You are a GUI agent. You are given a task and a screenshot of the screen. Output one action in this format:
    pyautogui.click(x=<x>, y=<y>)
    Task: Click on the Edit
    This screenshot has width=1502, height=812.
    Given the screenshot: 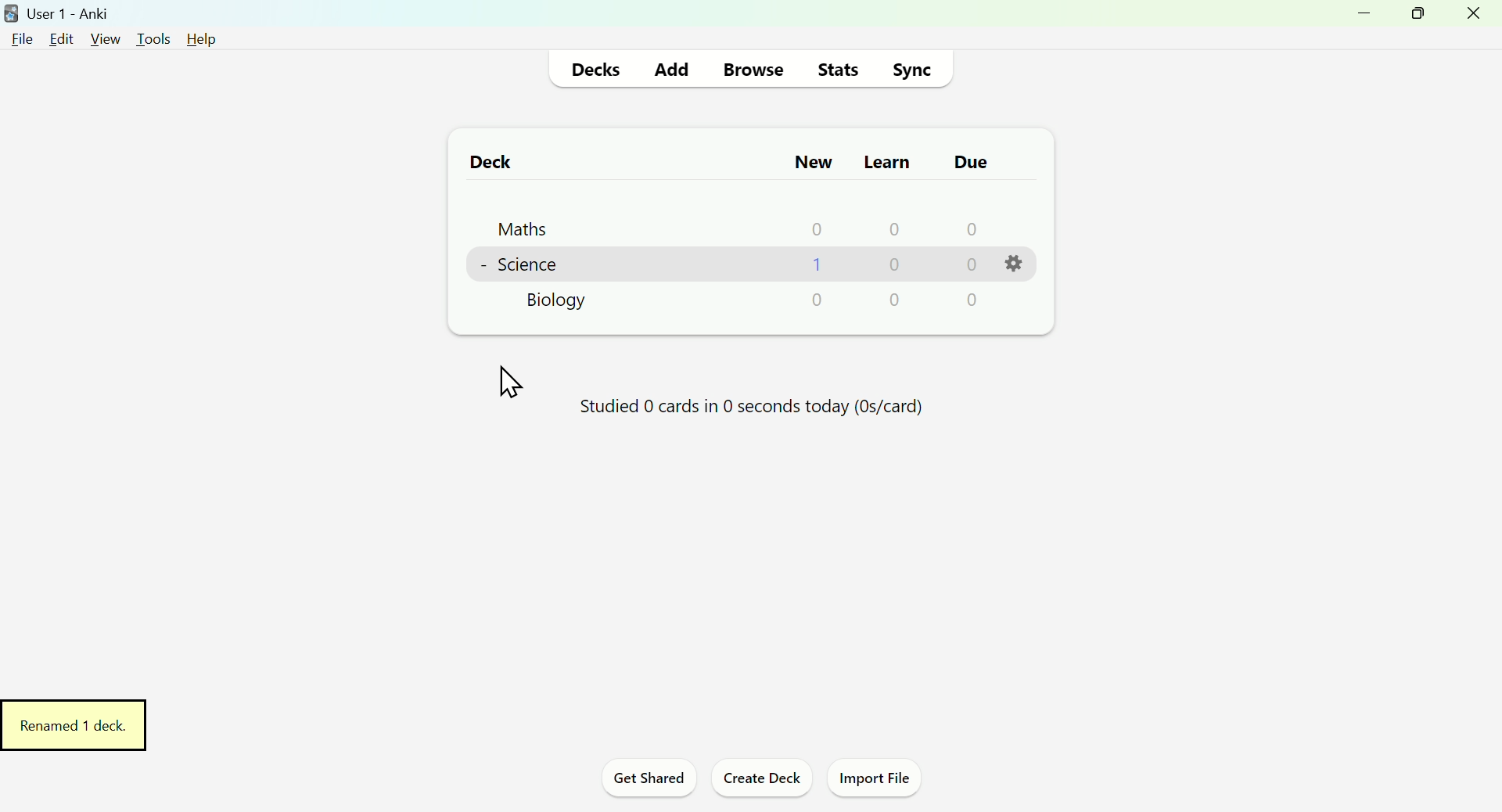 What is the action you would take?
    pyautogui.click(x=66, y=37)
    